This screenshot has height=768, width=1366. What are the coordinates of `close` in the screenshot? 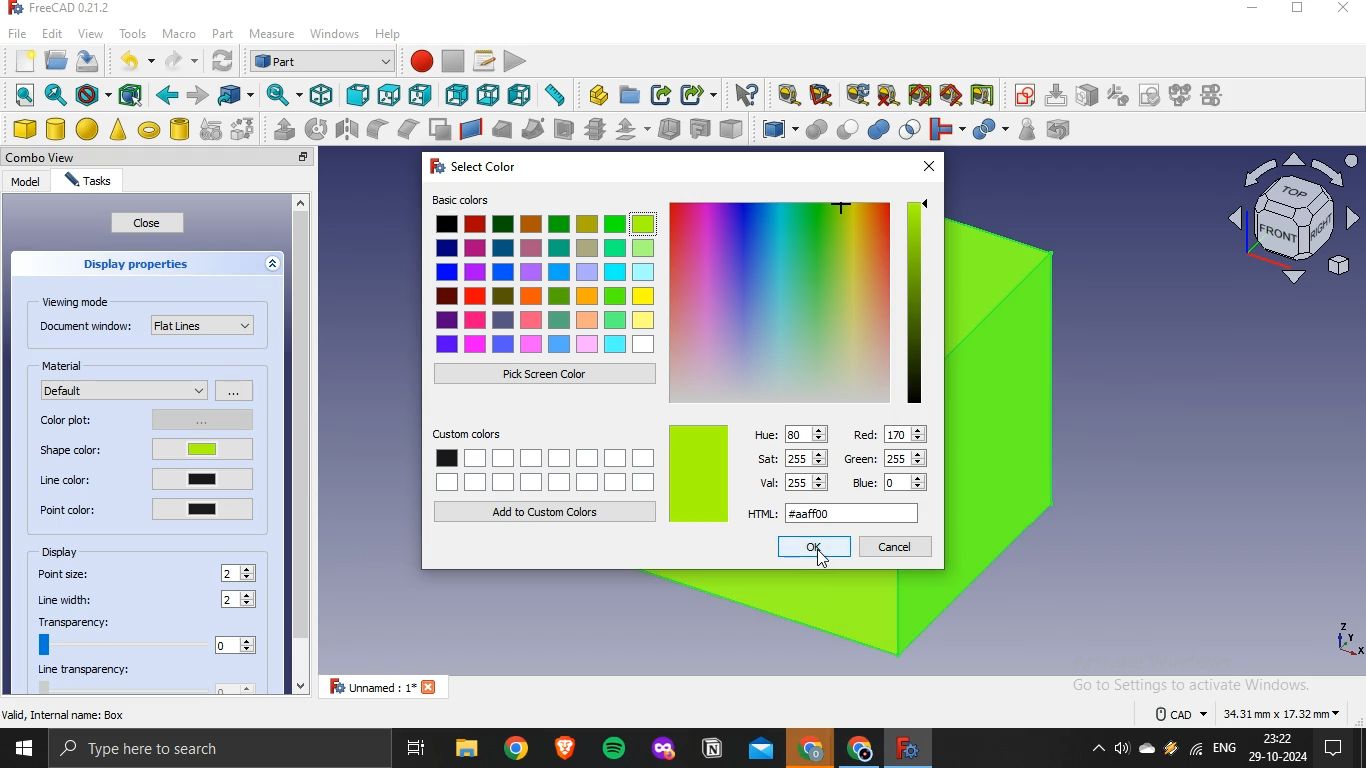 It's located at (927, 166).